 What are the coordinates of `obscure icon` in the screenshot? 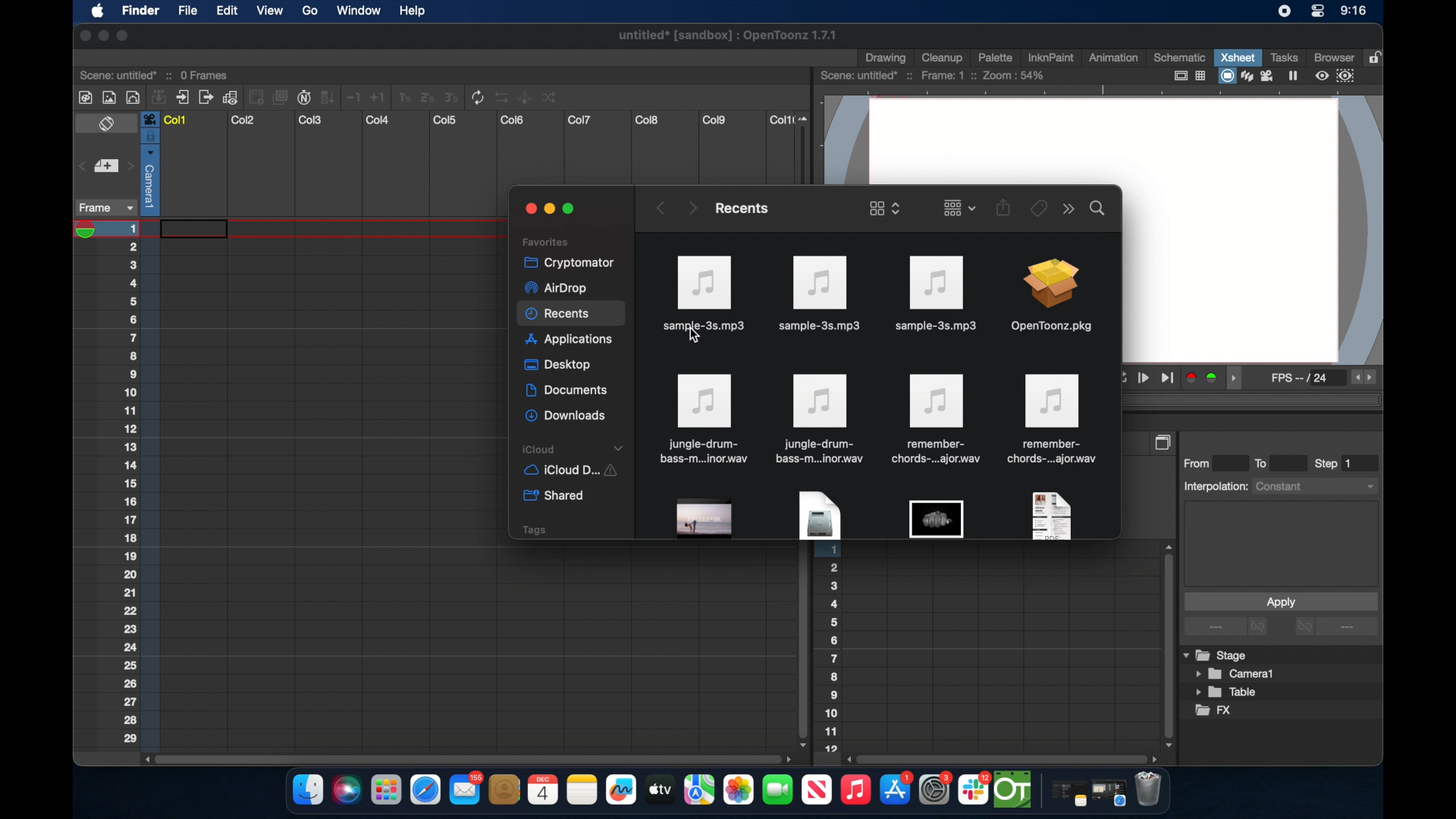 It's located at (705, 519).